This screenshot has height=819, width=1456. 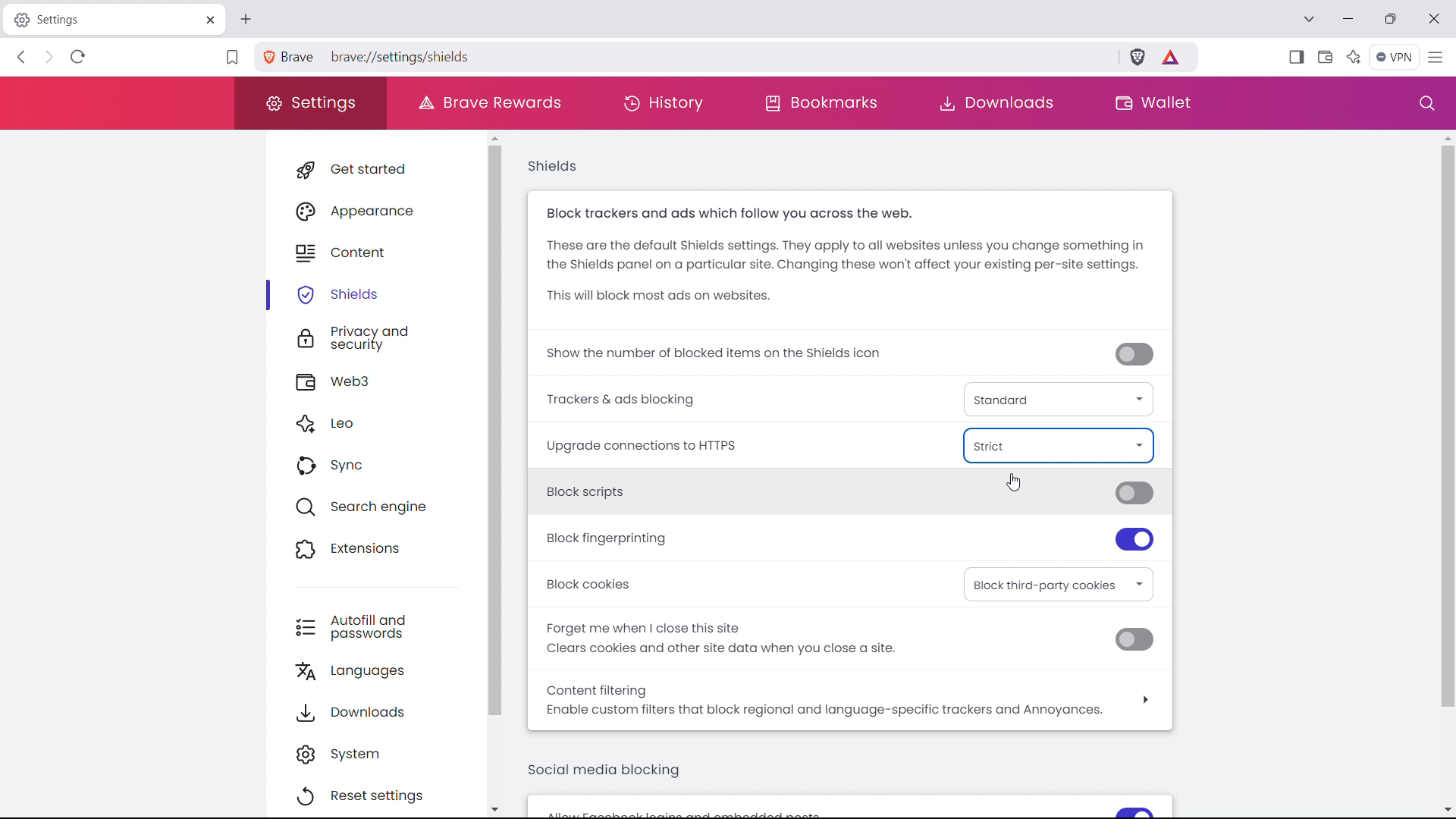 I want to click on search brave or type a URL, so click(x=695, y=56).